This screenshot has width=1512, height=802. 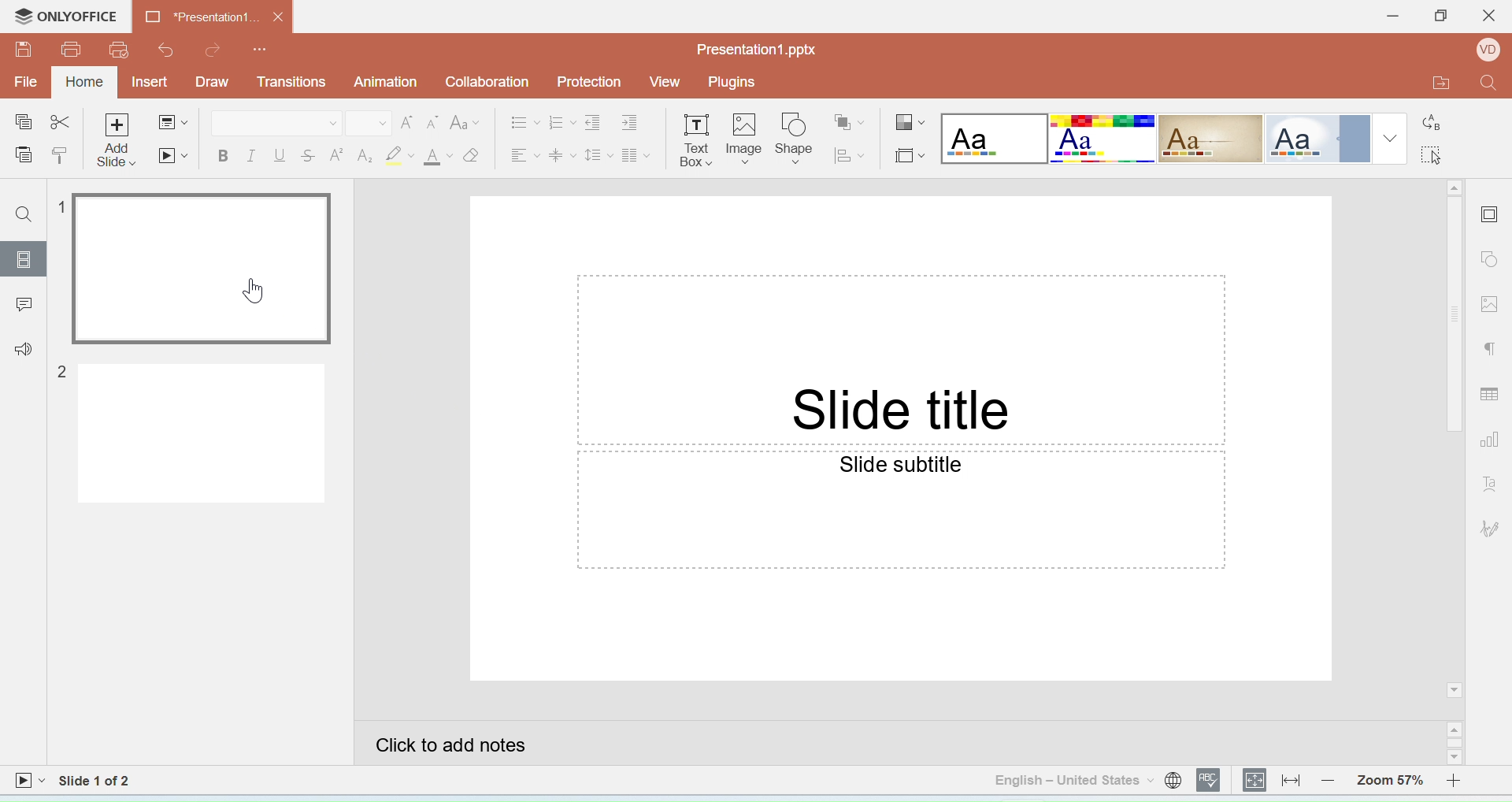 I want to click on Slide title, so click(x=900, y=412).